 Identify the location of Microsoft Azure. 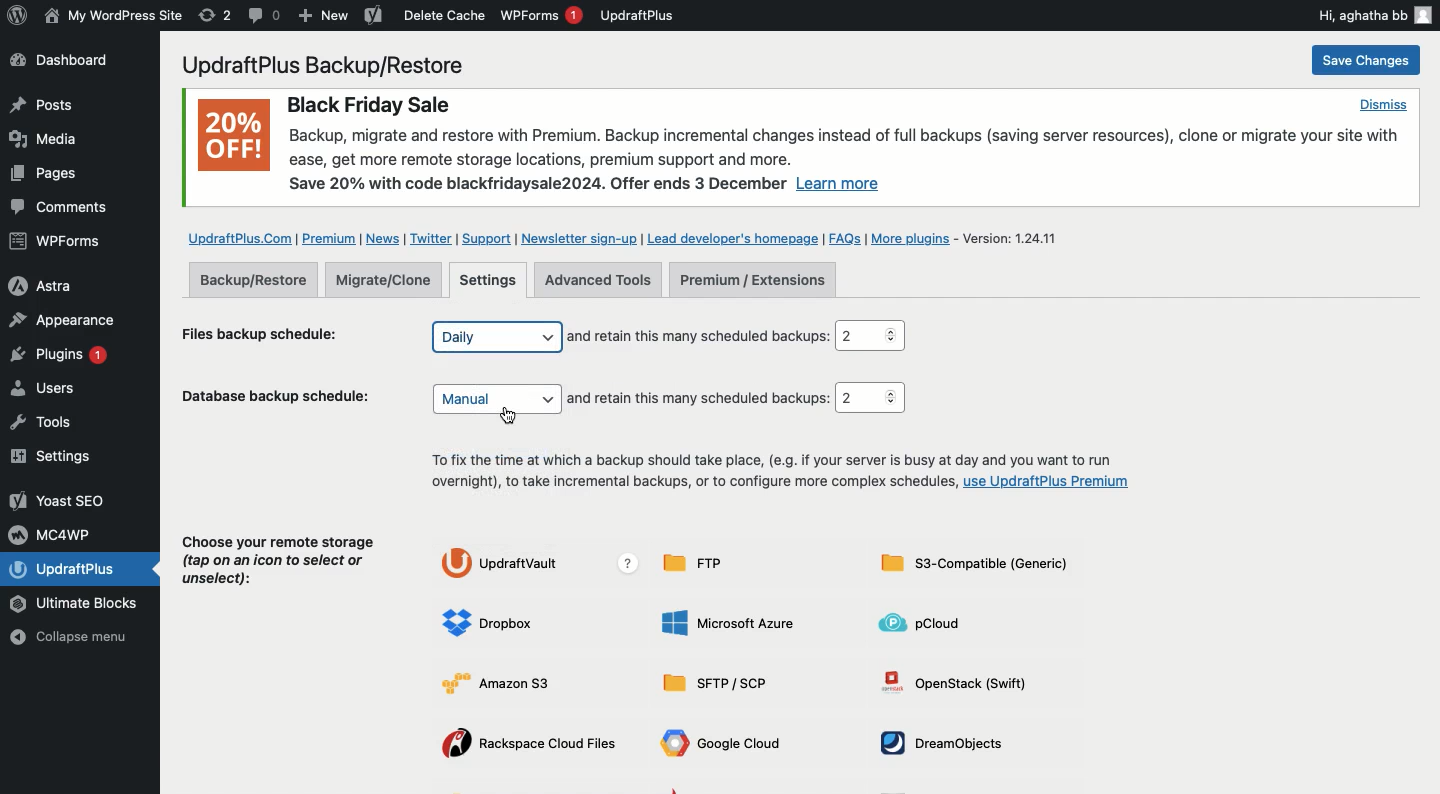
(731, 622).